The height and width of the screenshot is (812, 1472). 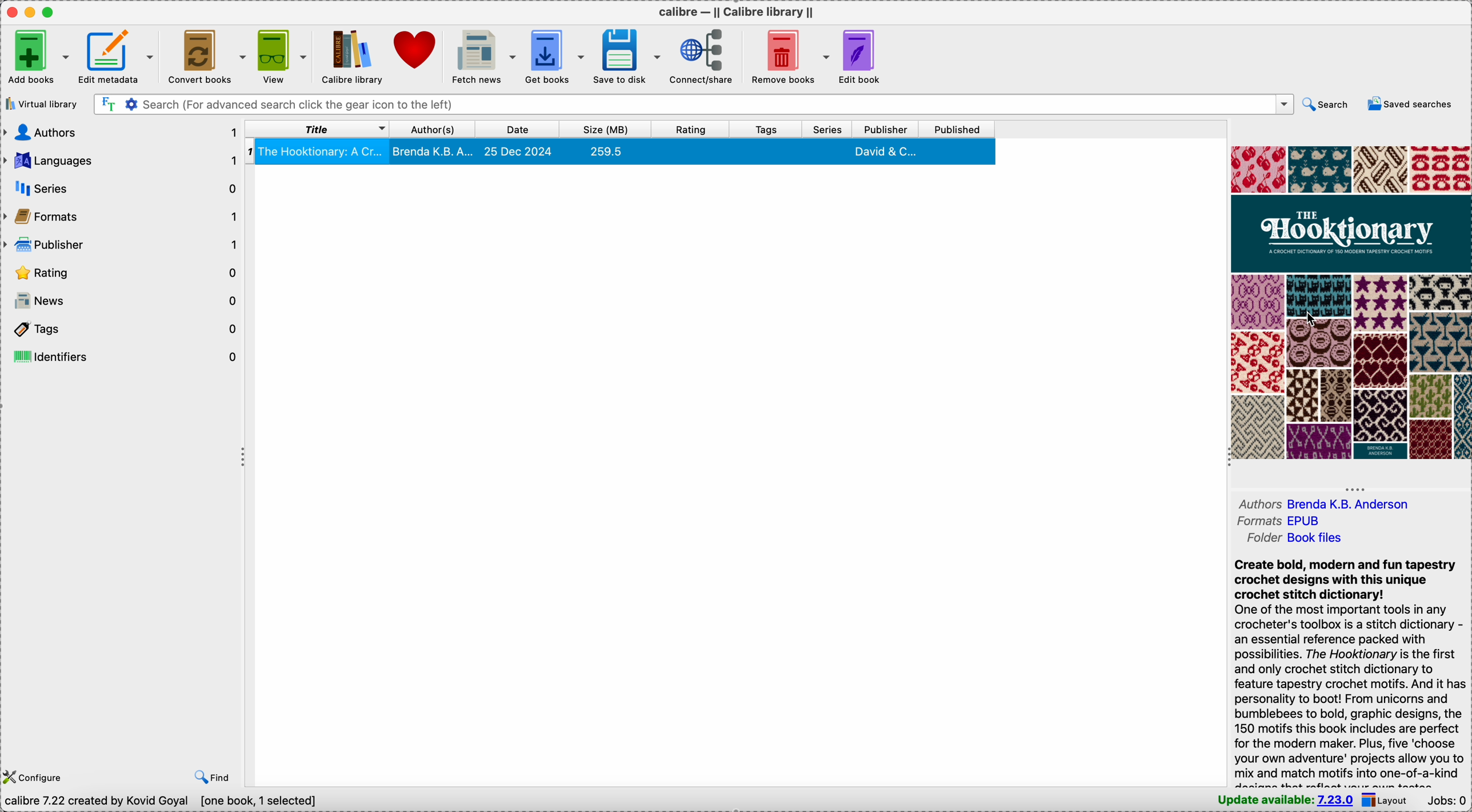 What do you see at coordinates (433, 130) in the screenshot?
I see `author(s)` at bounding box center [433, 130].